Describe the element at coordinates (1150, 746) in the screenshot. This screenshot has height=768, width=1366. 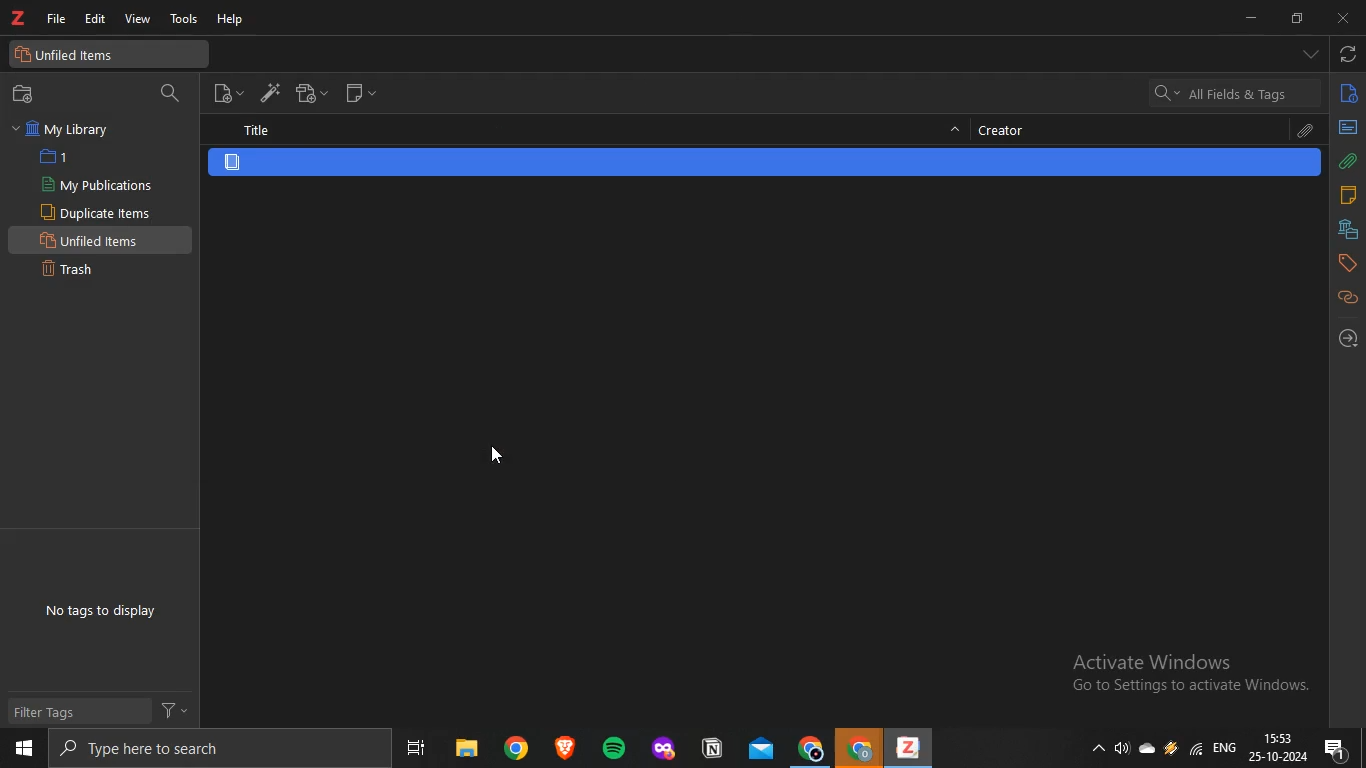
I see `cloud` at that location.